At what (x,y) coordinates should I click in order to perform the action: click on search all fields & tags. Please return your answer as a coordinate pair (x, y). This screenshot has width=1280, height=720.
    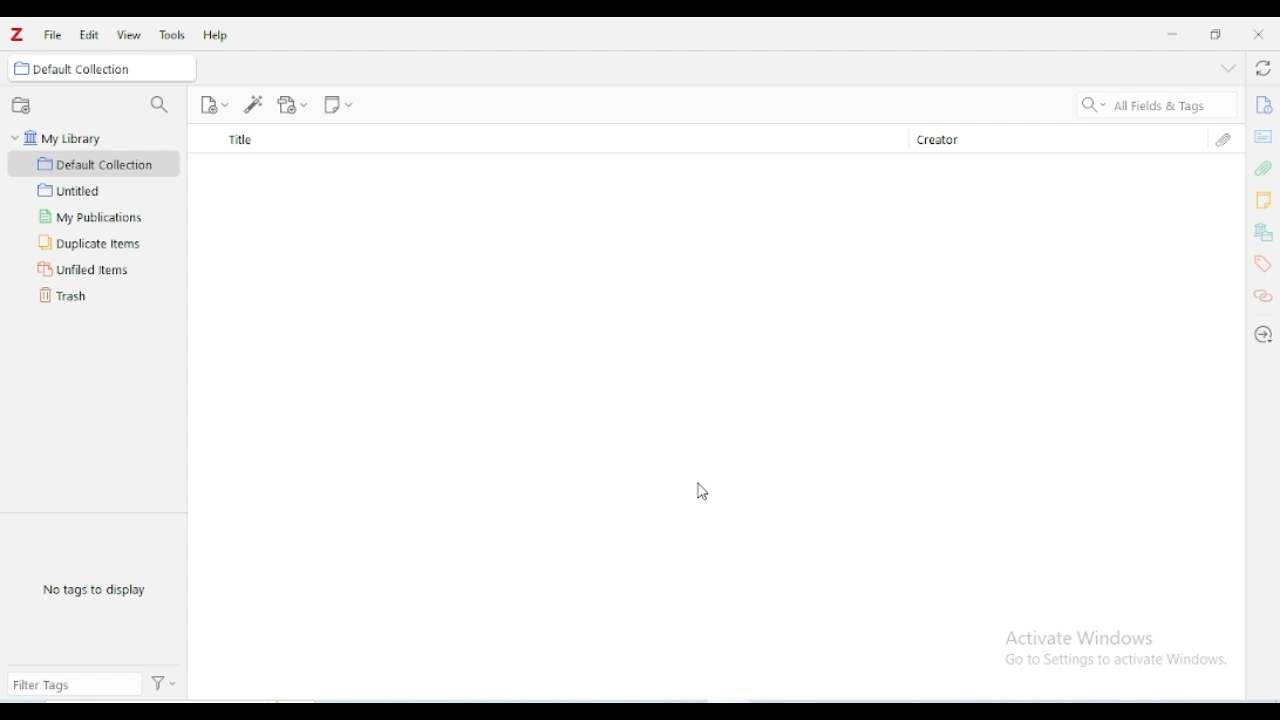
    Looking at the image, I should click on (1154, 106).